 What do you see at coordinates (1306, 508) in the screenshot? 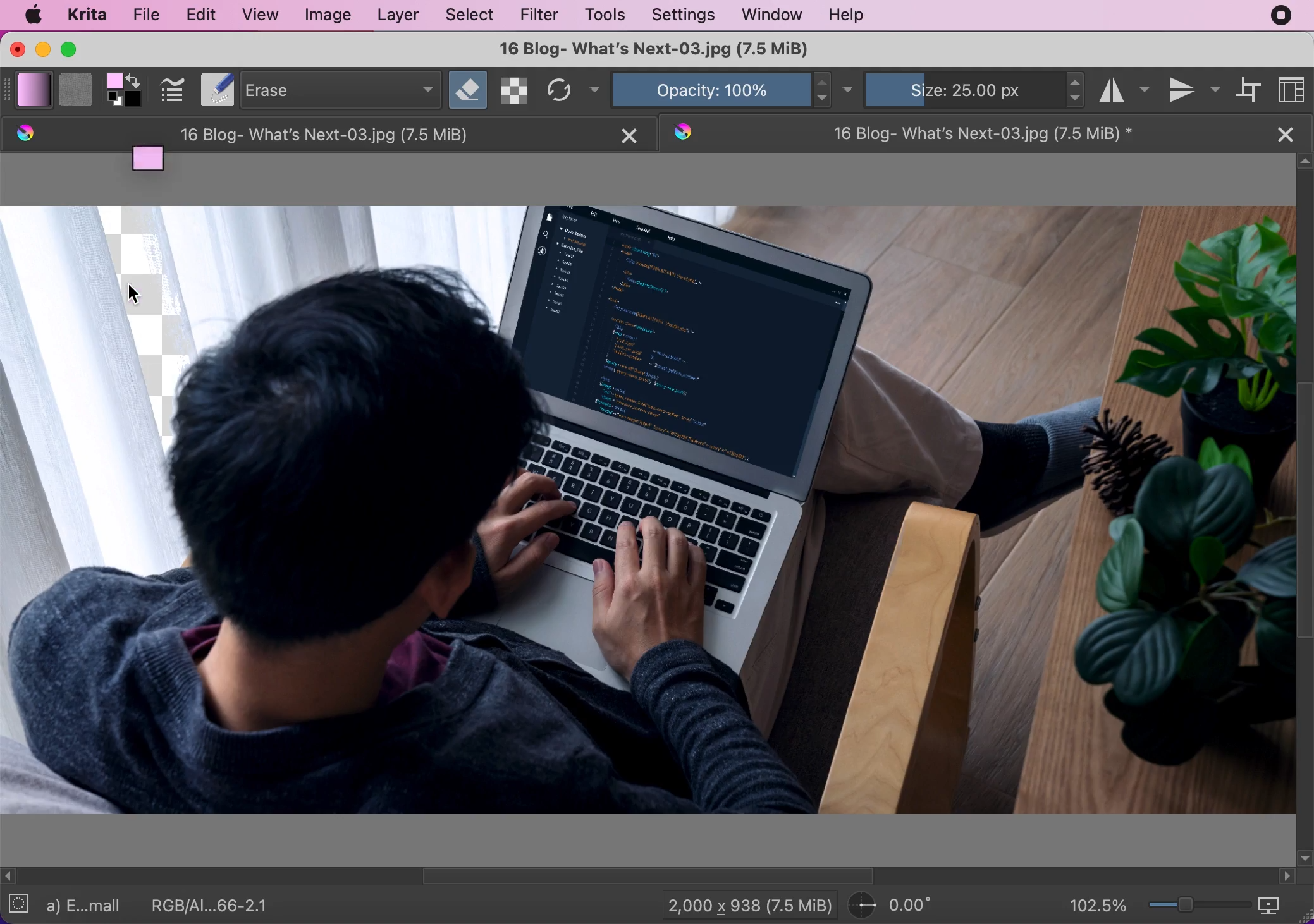
I see `scroll vertical bar` at bounding box center [1306, 508].